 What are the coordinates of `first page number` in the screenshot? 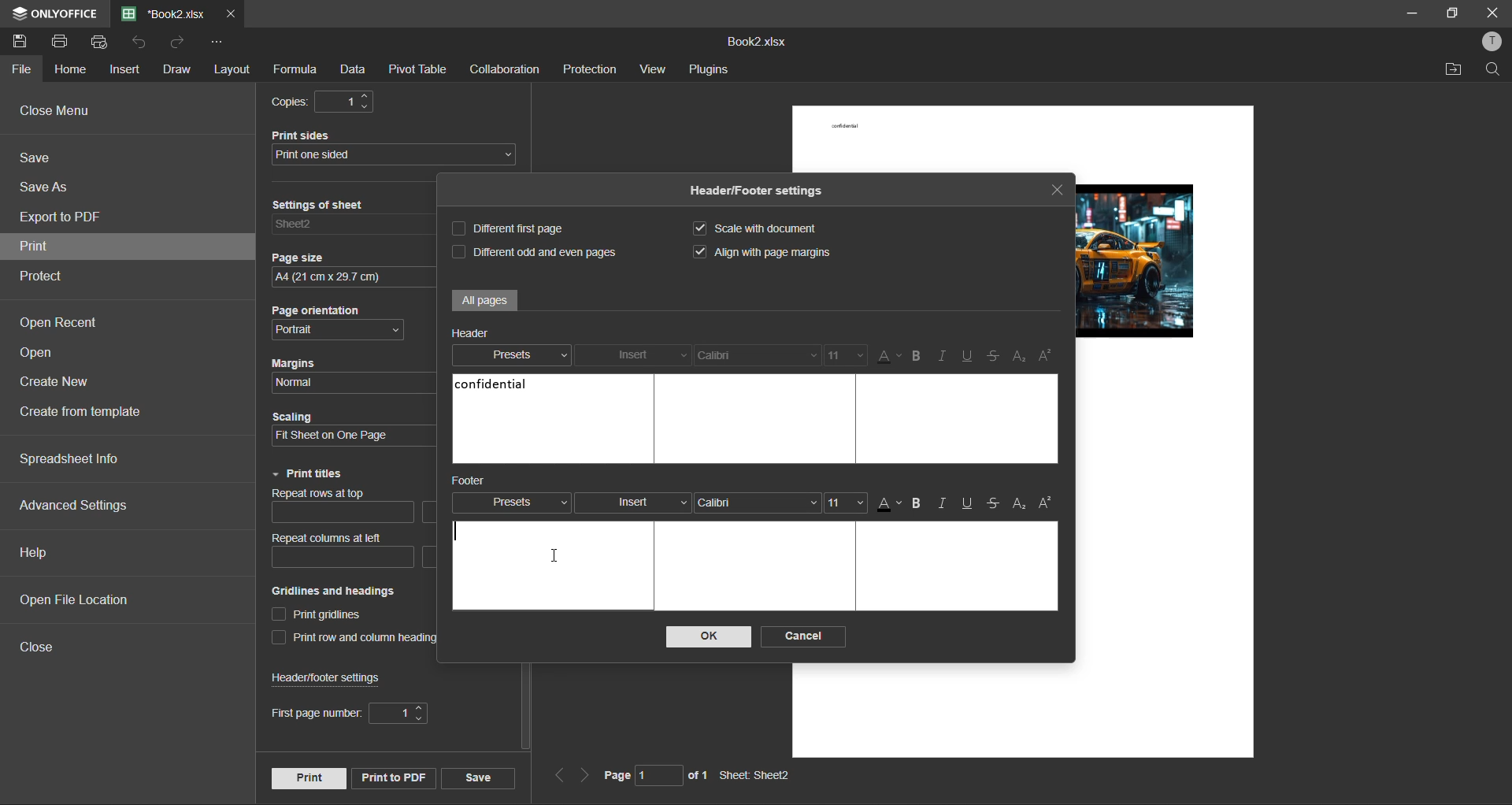 It's located at (351, 711).